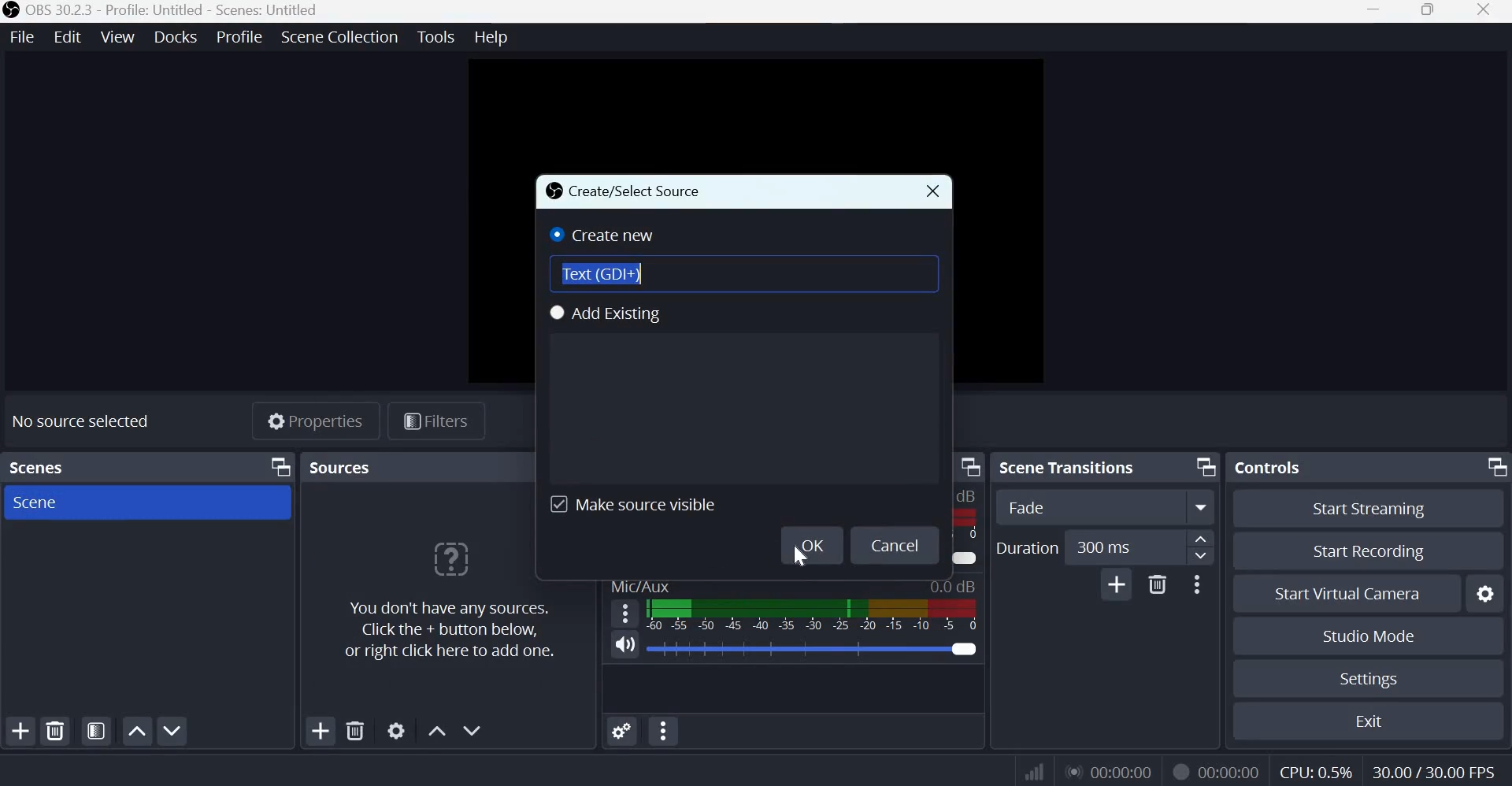  I want to click on Advanced Audio Properties, so click(623, 731).